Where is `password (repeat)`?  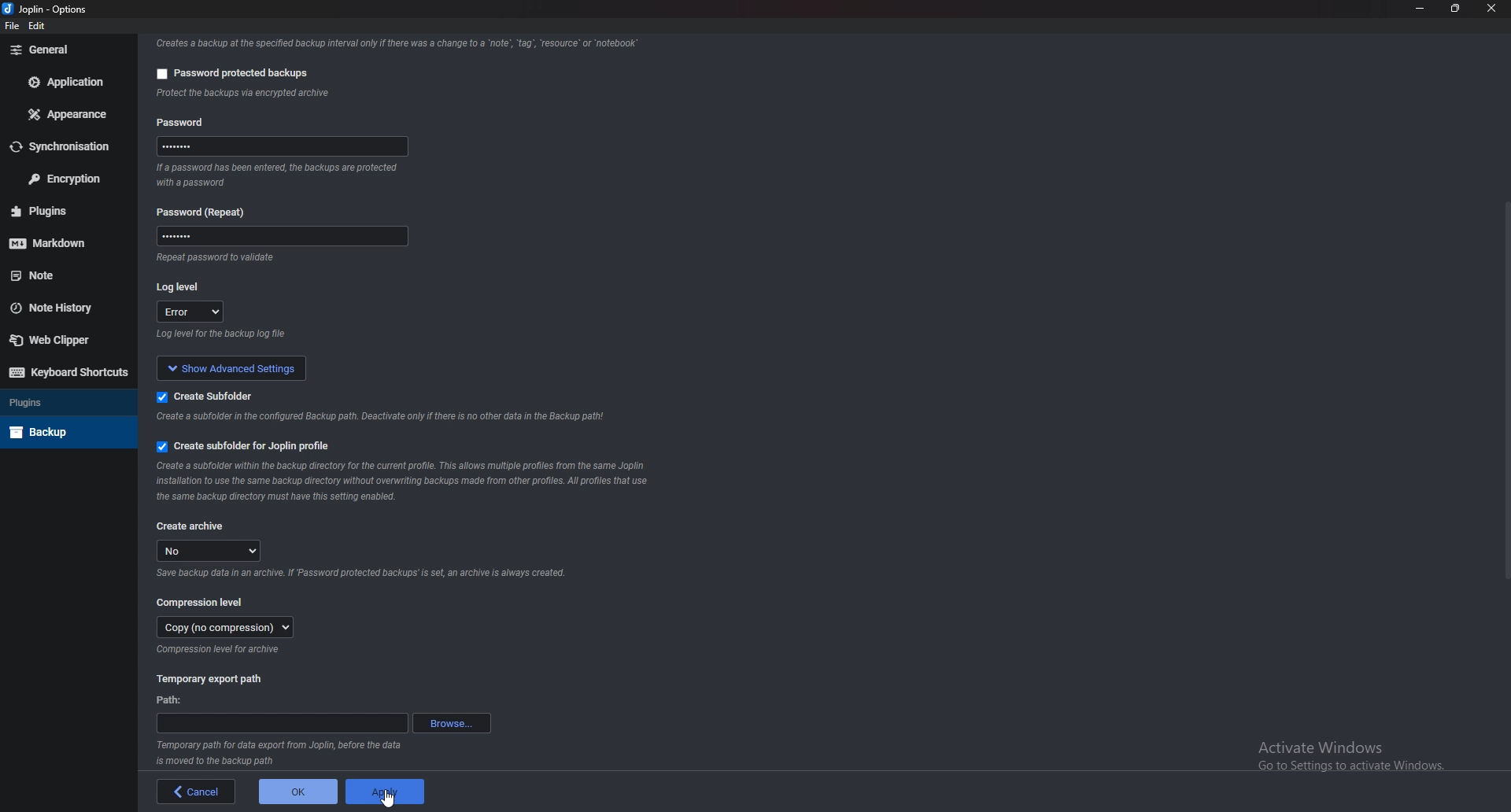
password (repeat) is located at coordinates (207, 212).